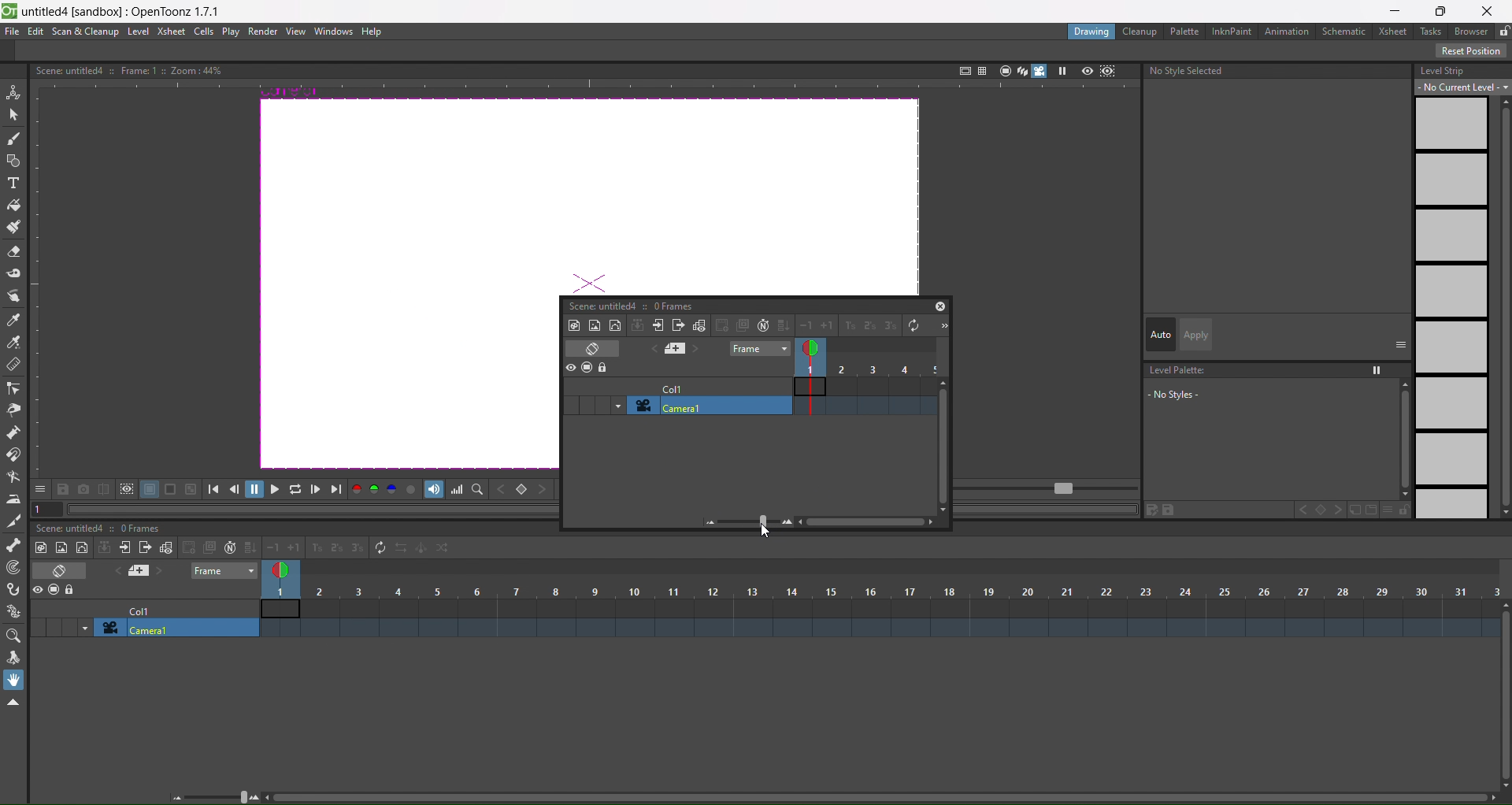 The width and height of the screenshot is (1512, 805). Describe the element at coordinates (813, 348) in the screenshot. I see `double click to toggle onion skin` at that location.